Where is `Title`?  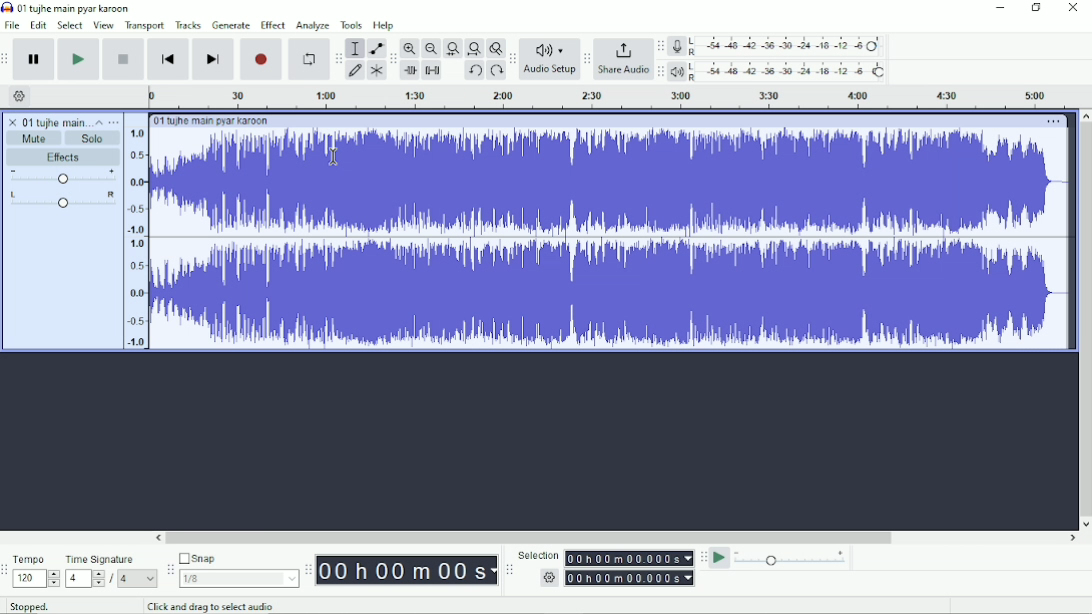 Title is located at coordinates (67, 8).